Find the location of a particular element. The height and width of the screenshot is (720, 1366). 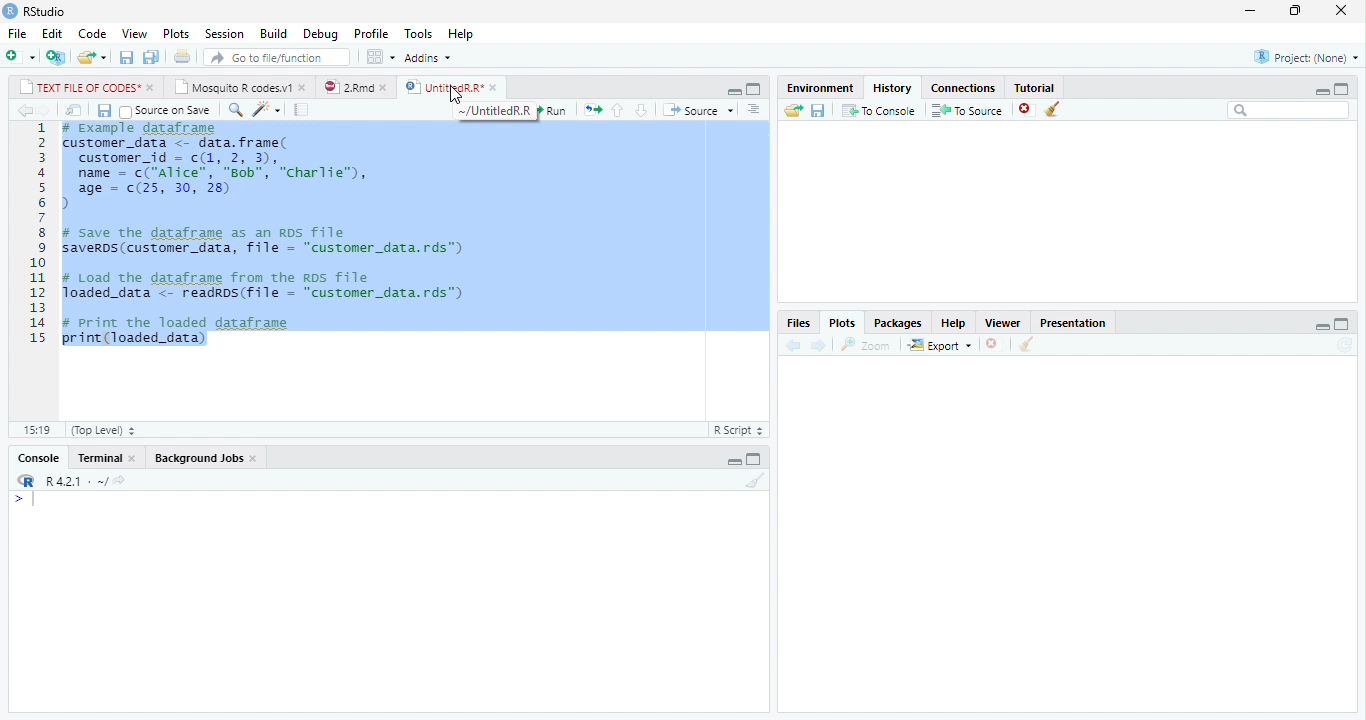

Session is located at coordinates (222, 35).